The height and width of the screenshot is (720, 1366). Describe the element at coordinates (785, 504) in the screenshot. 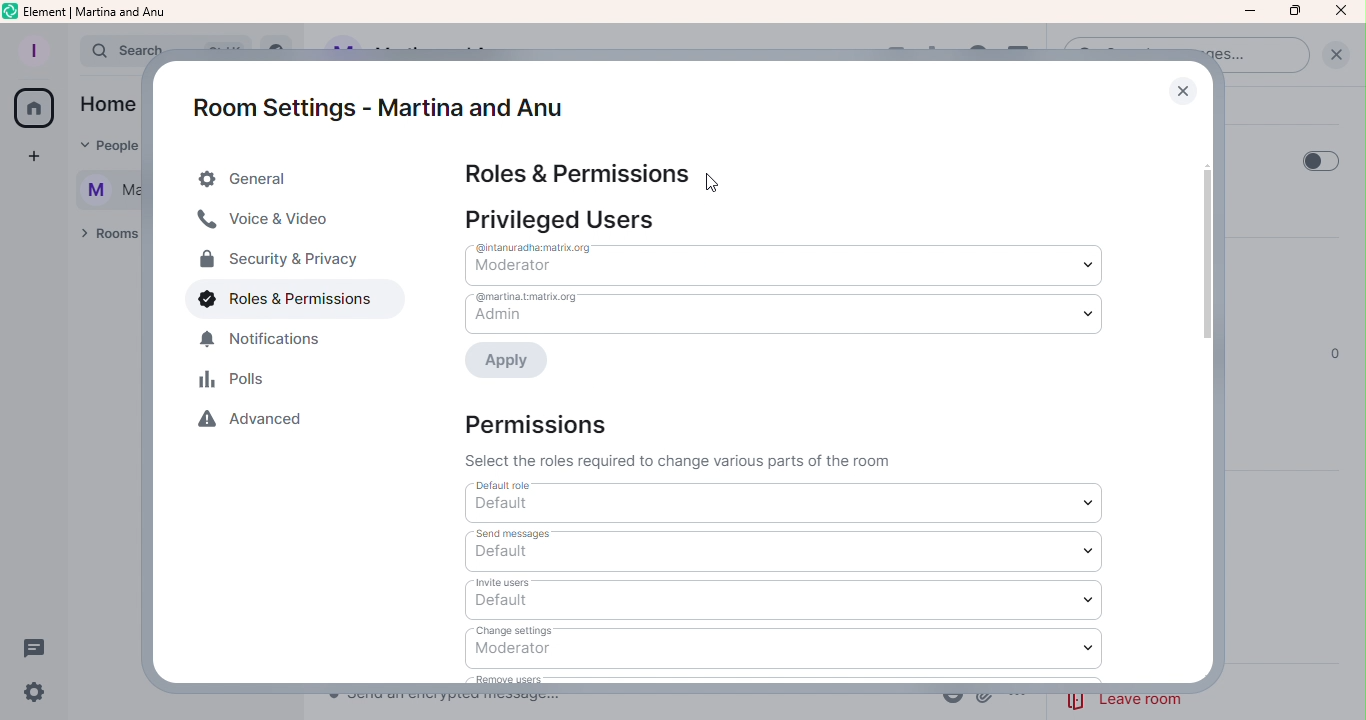

I see `Default role` at that location.